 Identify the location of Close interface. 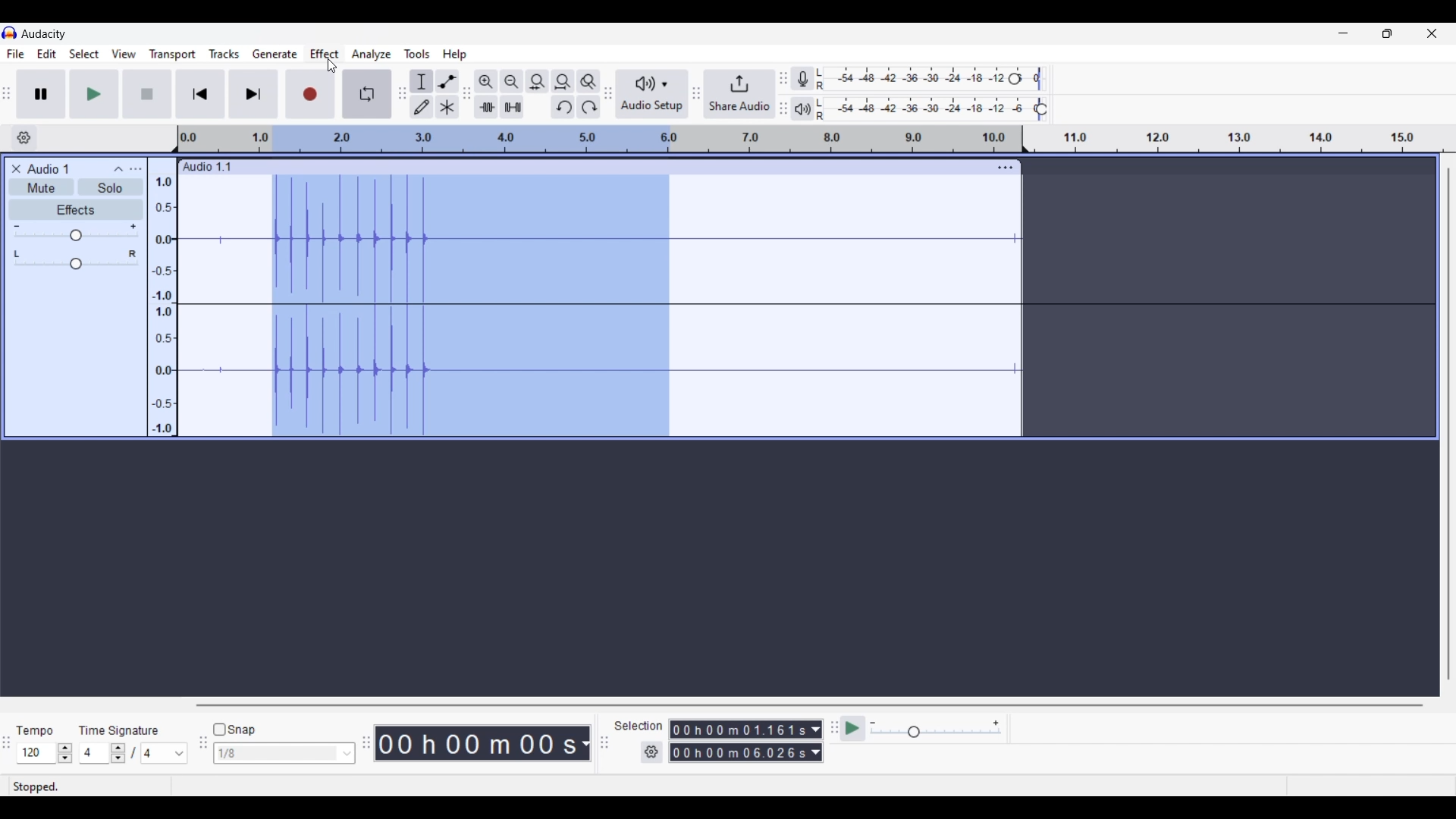
(1432, 33).